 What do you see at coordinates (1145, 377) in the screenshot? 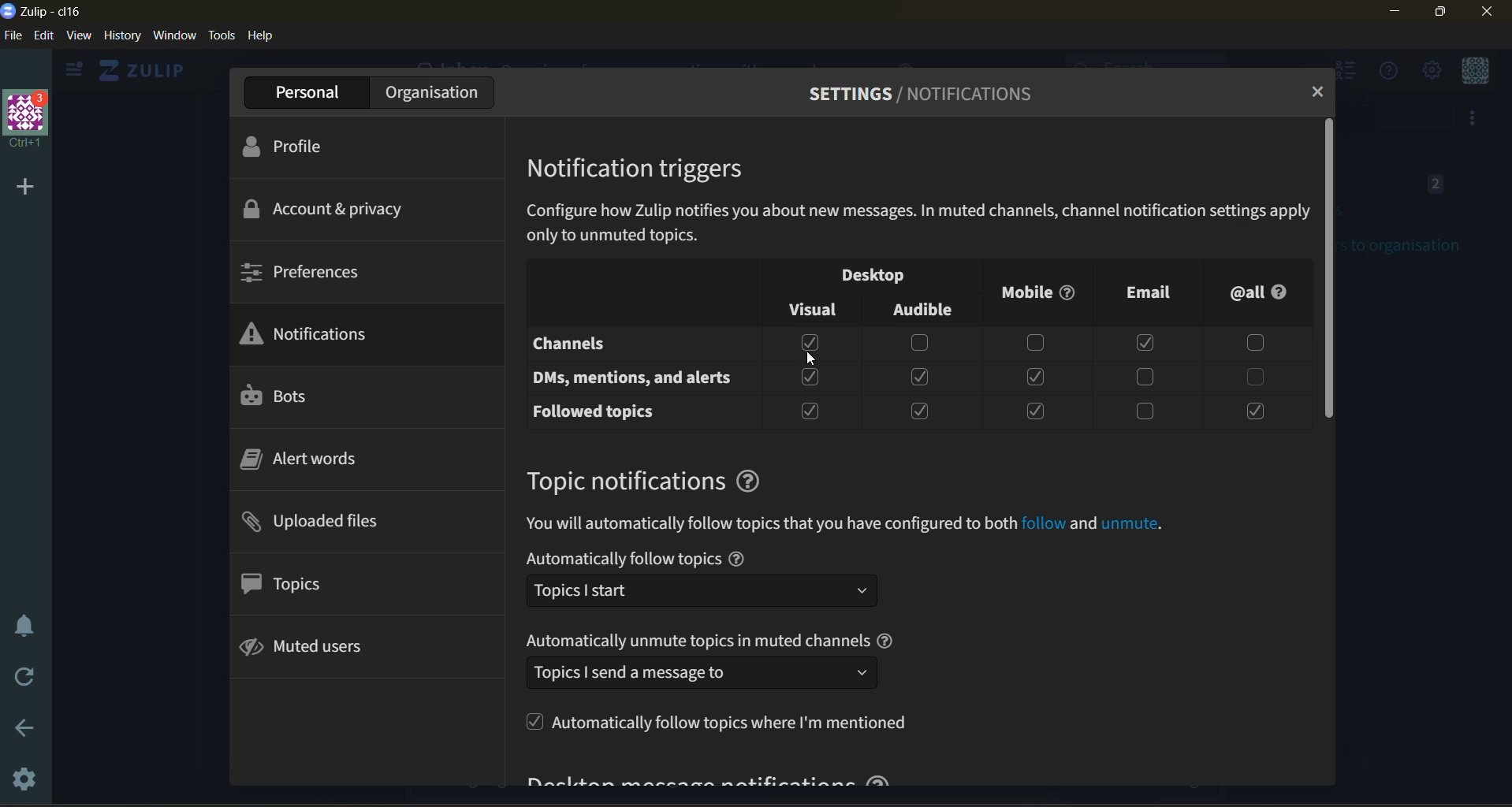
I see `checkbox` at bounding box center [1145, 377].